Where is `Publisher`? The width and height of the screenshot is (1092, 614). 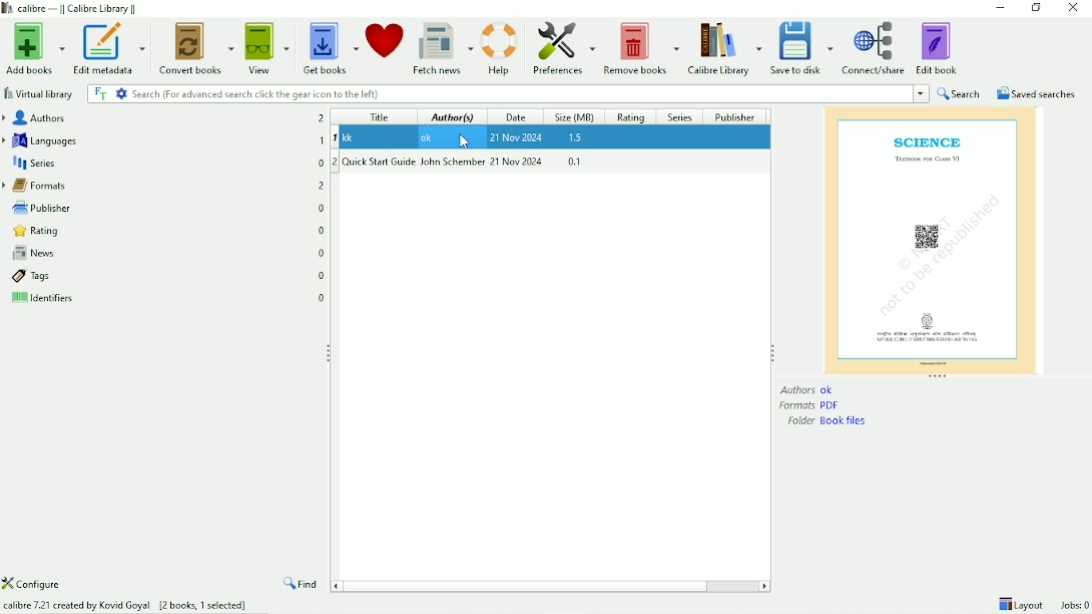
Publisher is located at coordinates (162, 208).